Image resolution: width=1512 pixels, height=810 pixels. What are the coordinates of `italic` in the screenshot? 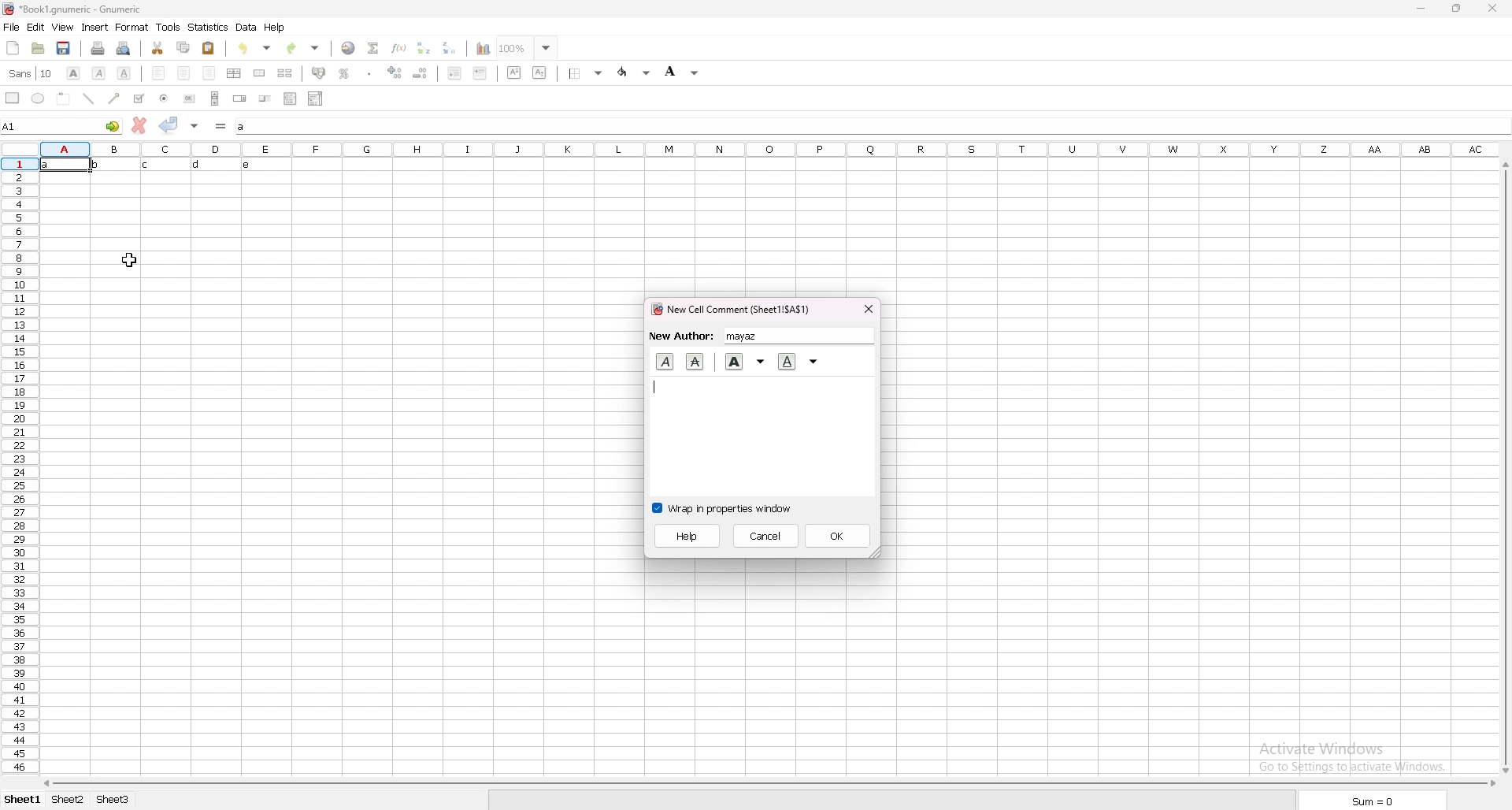 It's located at (98, 74).